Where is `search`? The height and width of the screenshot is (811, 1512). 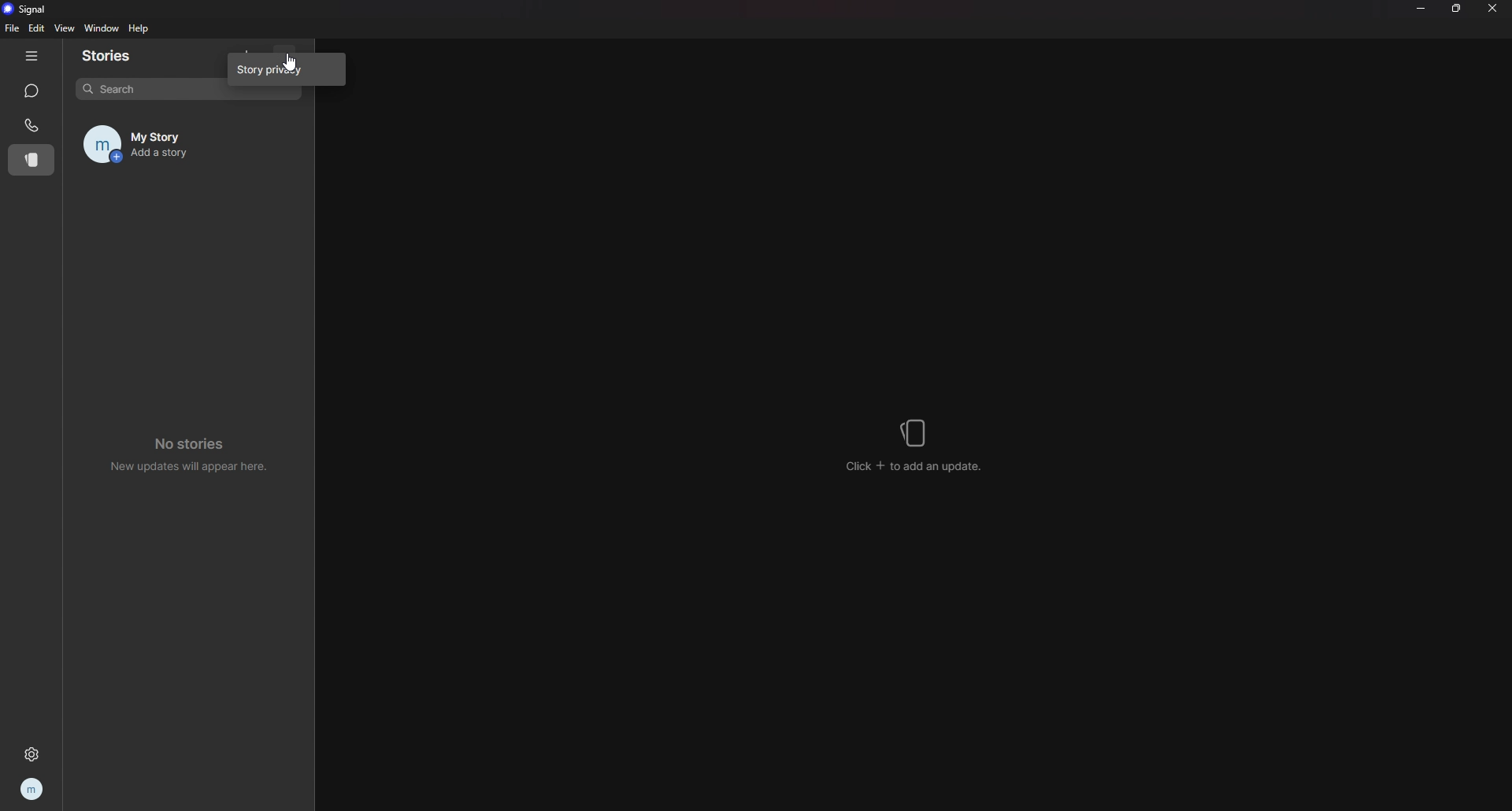 search is located at coordinates (149, 87).